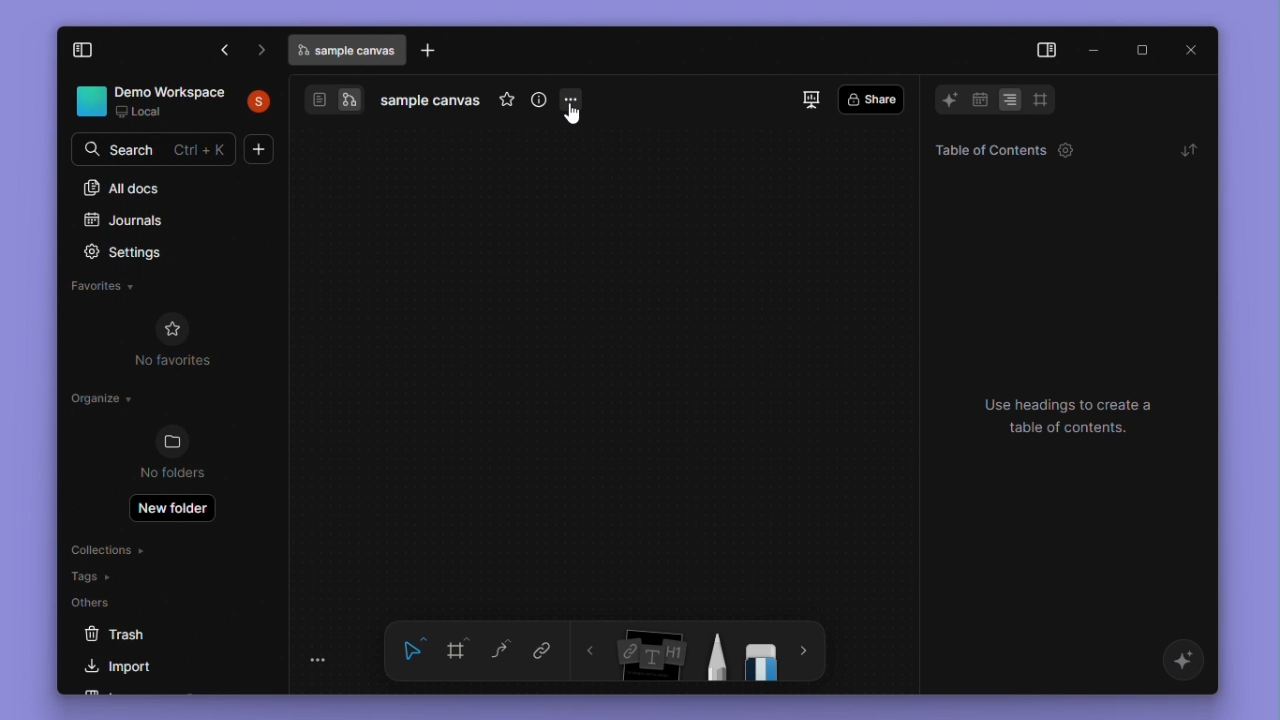 Image resolution: width=1280 pixels, height=720 pixels. Describe the element at coordinates (226, 52) in the screenshot. I see `previous tab` at that location.